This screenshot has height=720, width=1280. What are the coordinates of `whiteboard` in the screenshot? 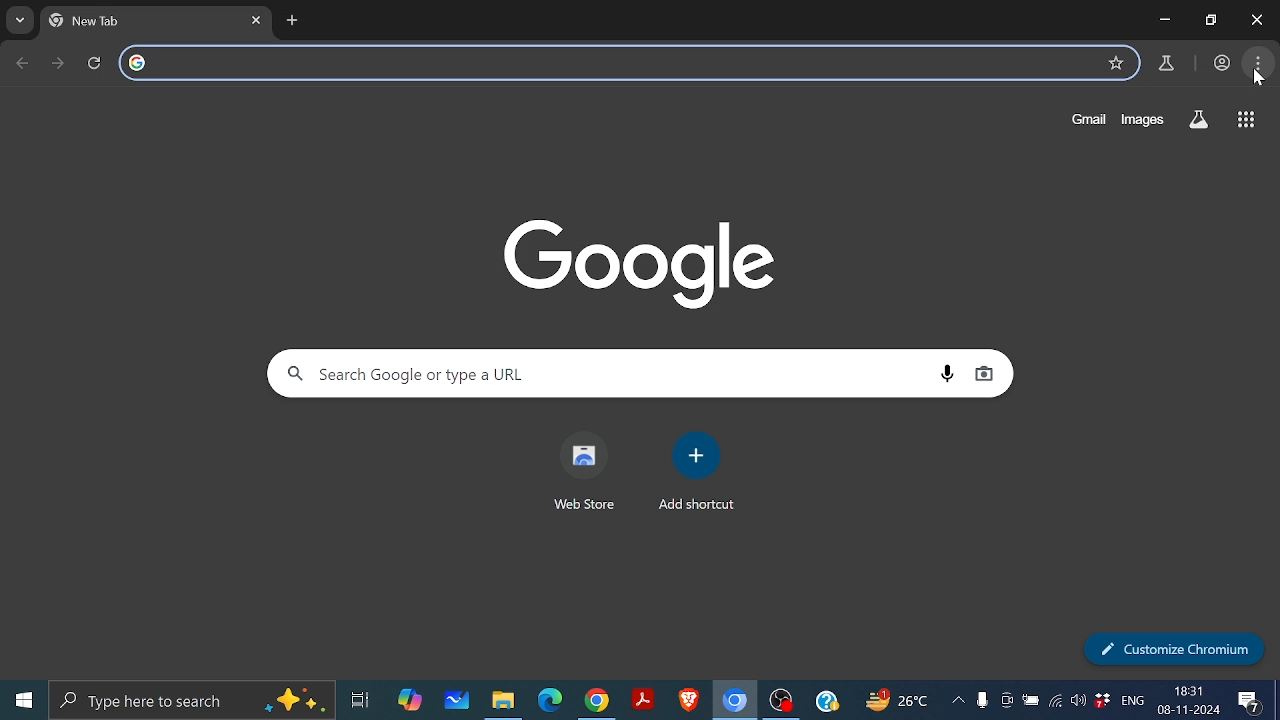 It's located at (457, 701).